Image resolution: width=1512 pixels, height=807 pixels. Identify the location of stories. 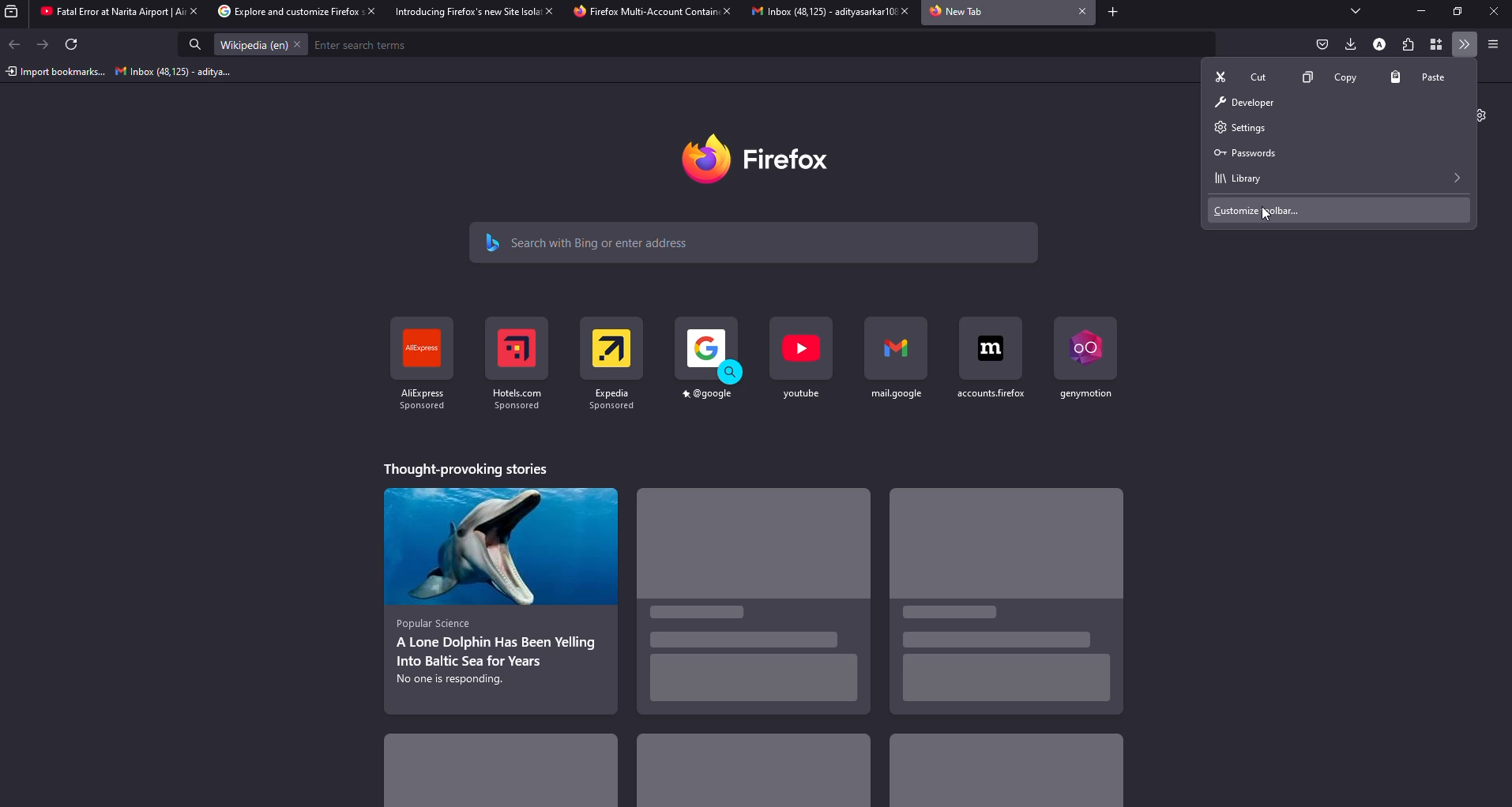
(753, 774).